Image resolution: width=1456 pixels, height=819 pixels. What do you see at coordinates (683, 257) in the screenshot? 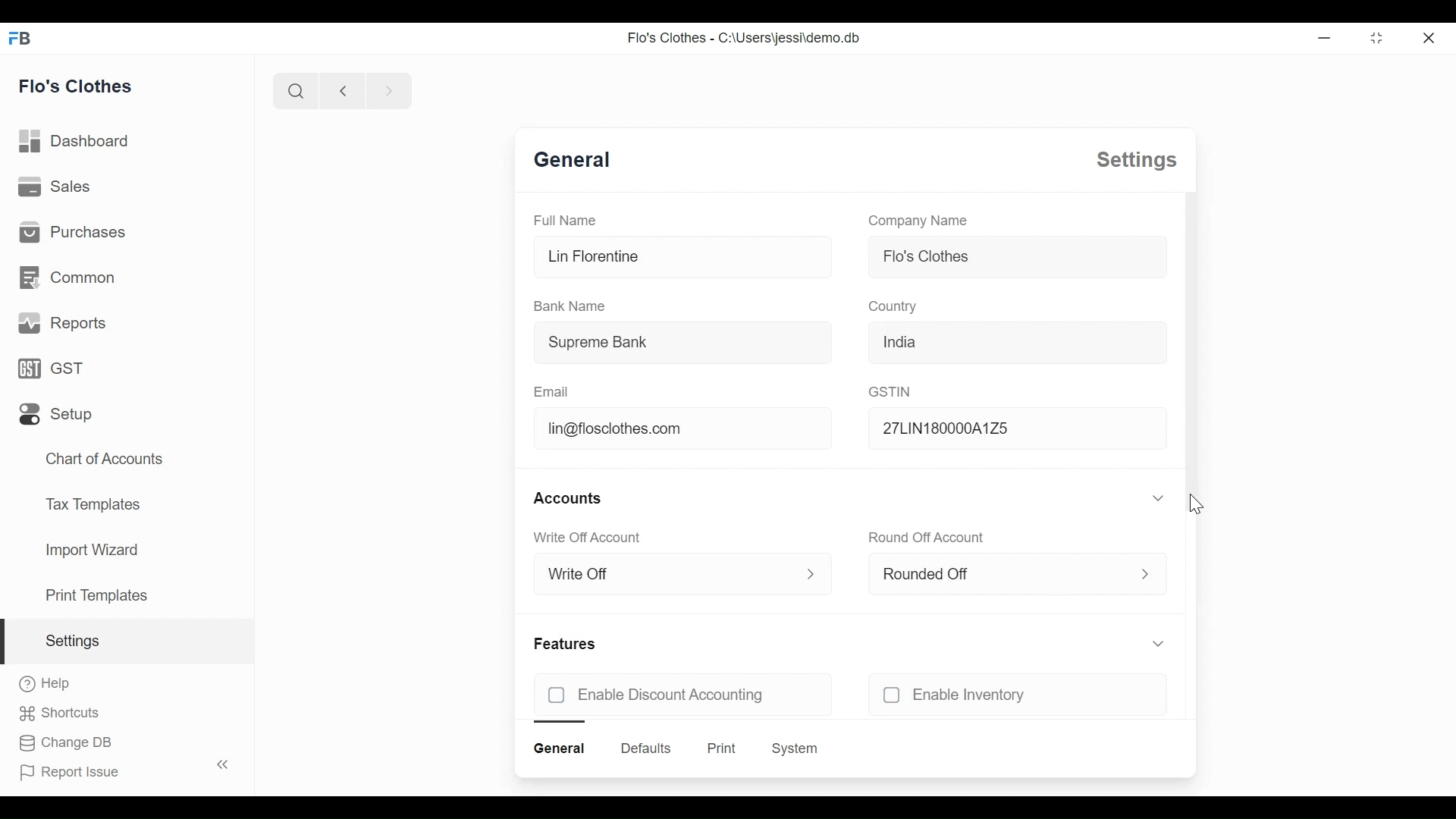
I see `Lin Florentine` at bounding box center [683, 257].